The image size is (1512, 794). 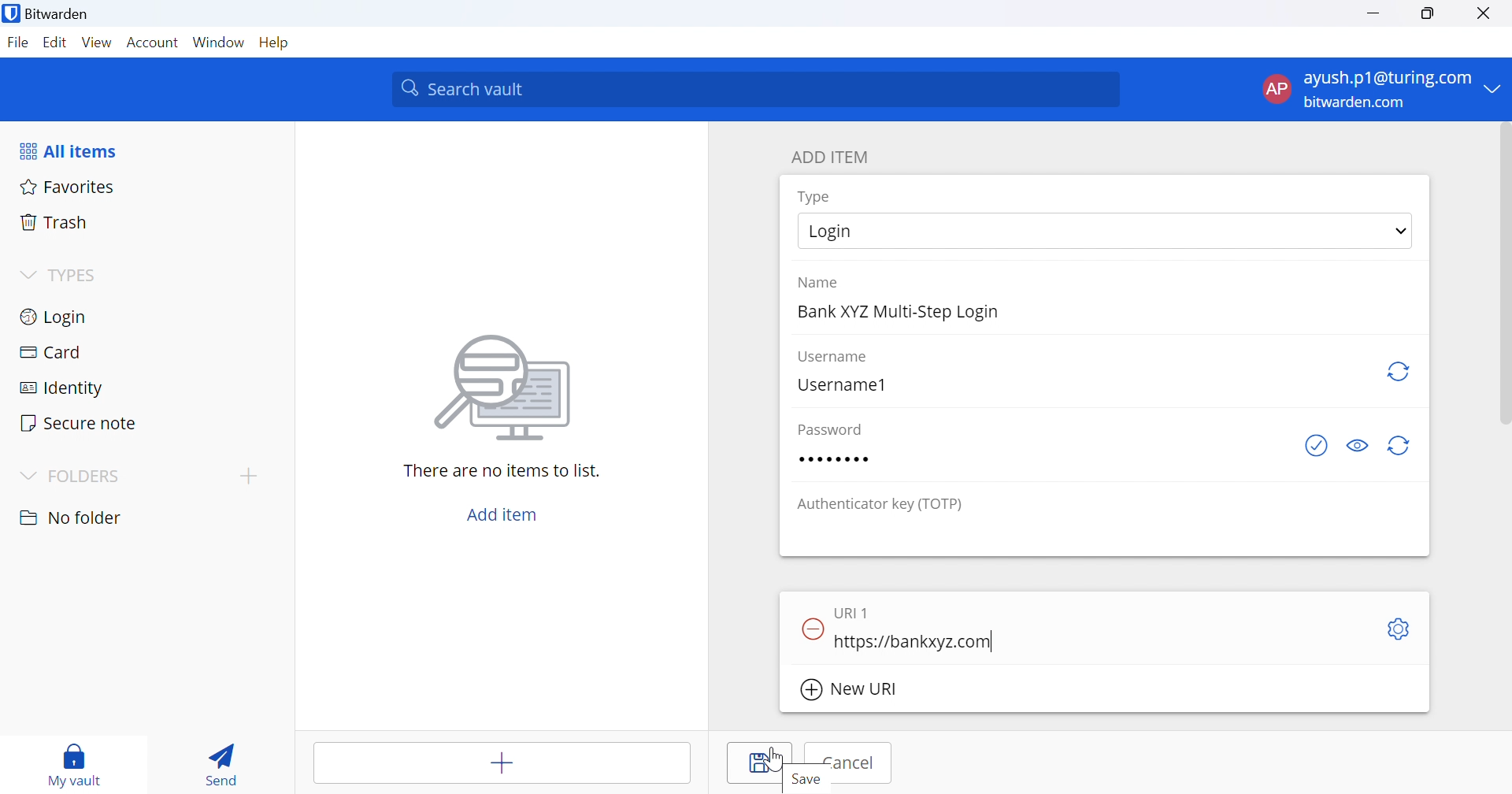 What do you see at coordinates (880, 506) in the screenshot?
I see `Authenticator key (TOTP)` at bounding box center [880, 506].